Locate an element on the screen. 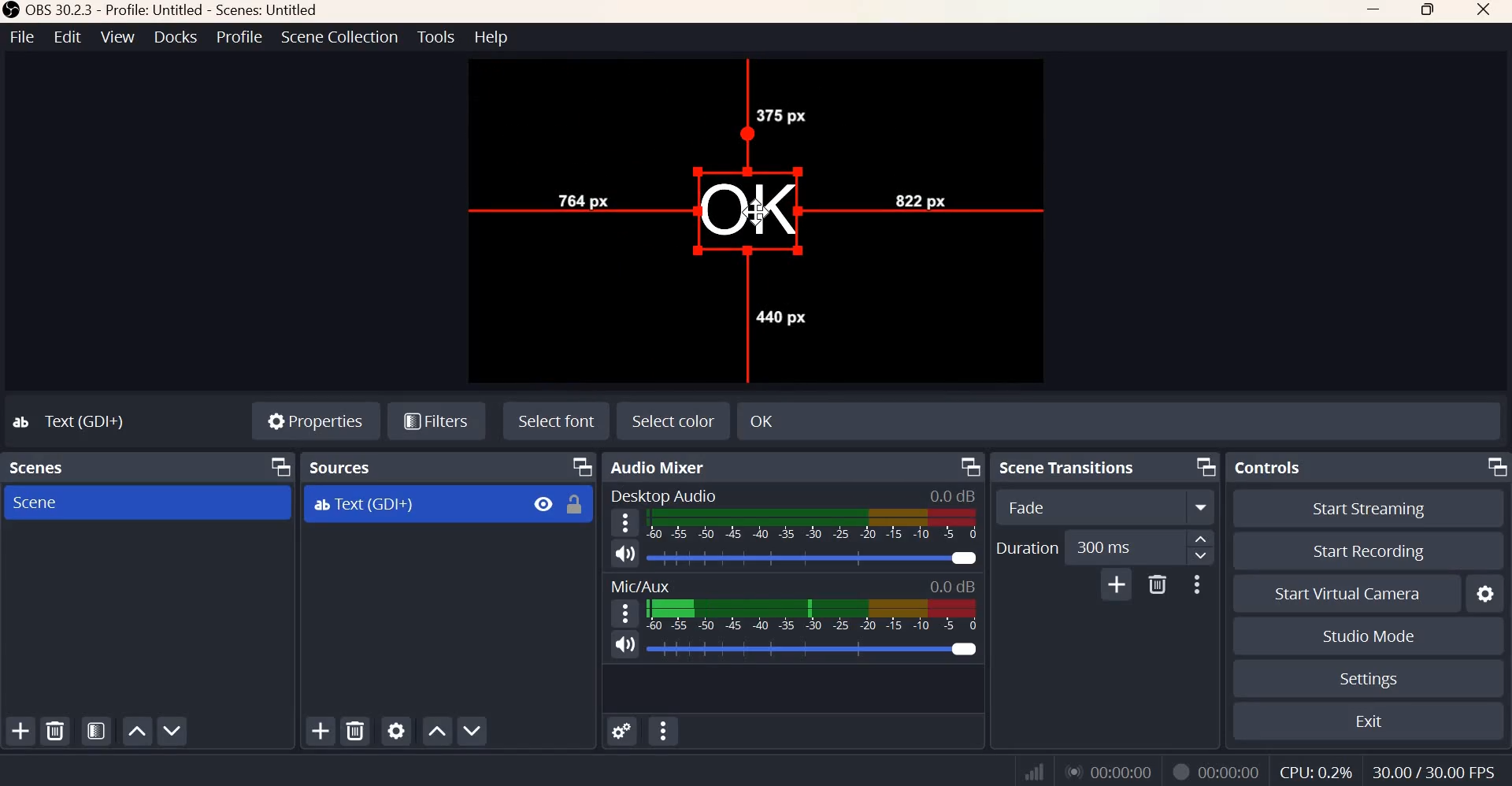 This screenshot has width=1512, height=786. 440 px is located at coordinates (780, 316).